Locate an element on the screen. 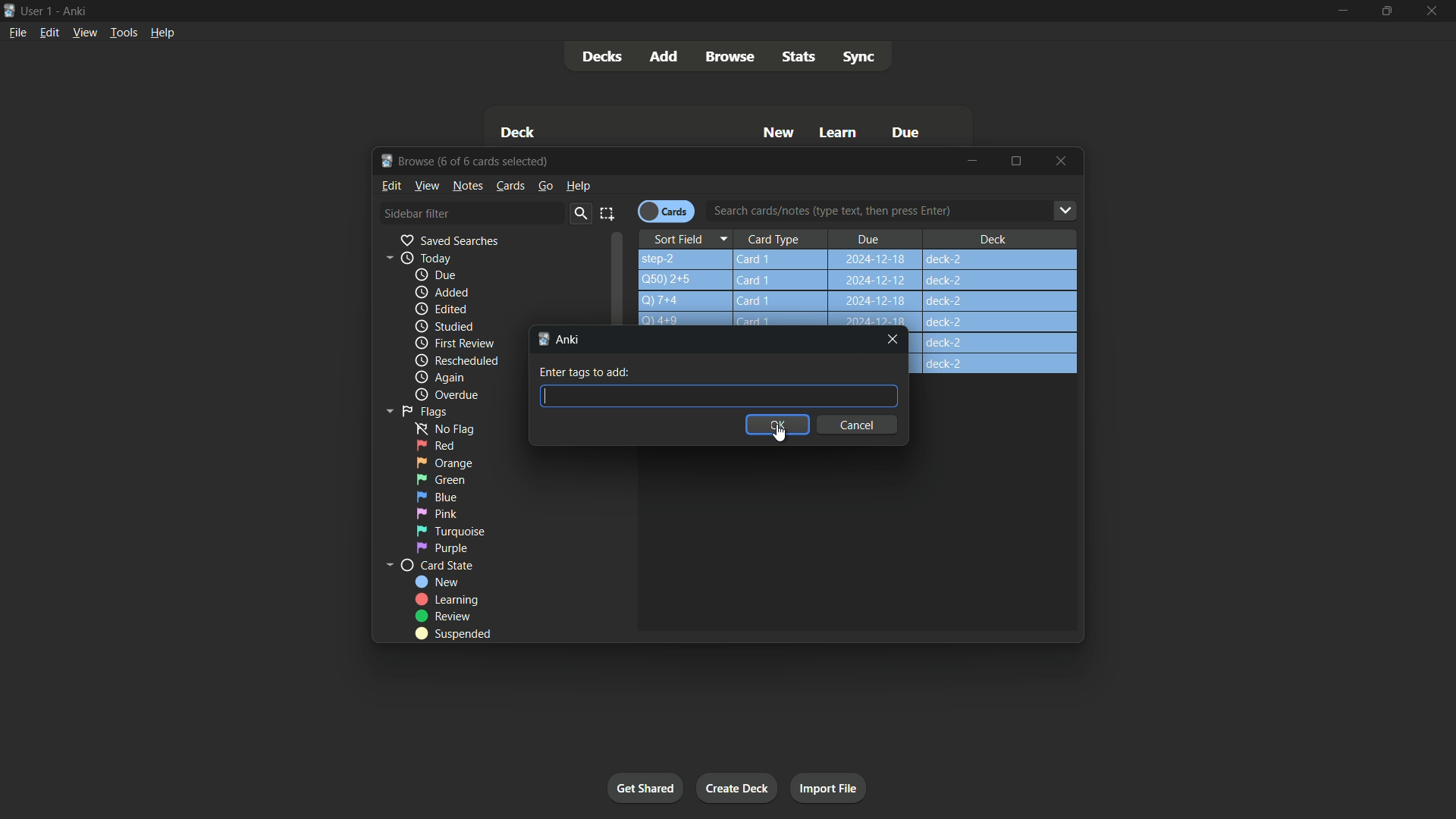 This screenshot has width=1456, height=819. New is located at coordinates (780, 133).